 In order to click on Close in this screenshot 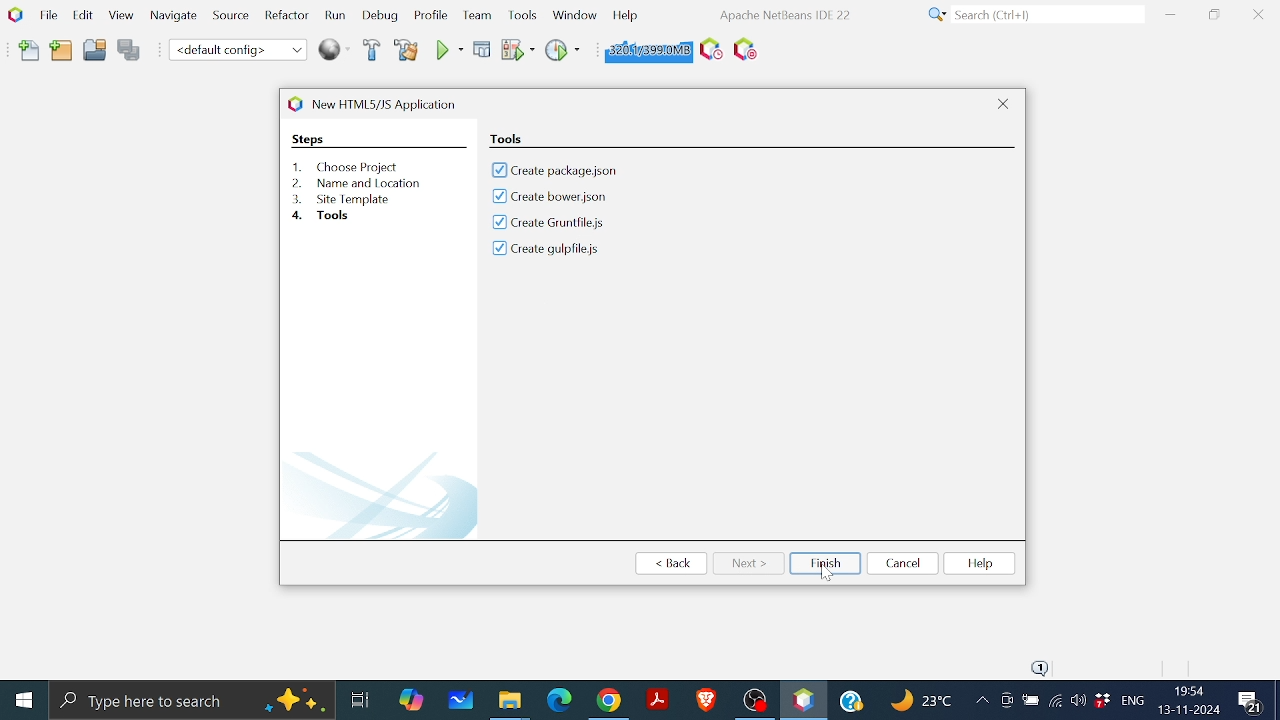, I will do `click(1258, 15)`.